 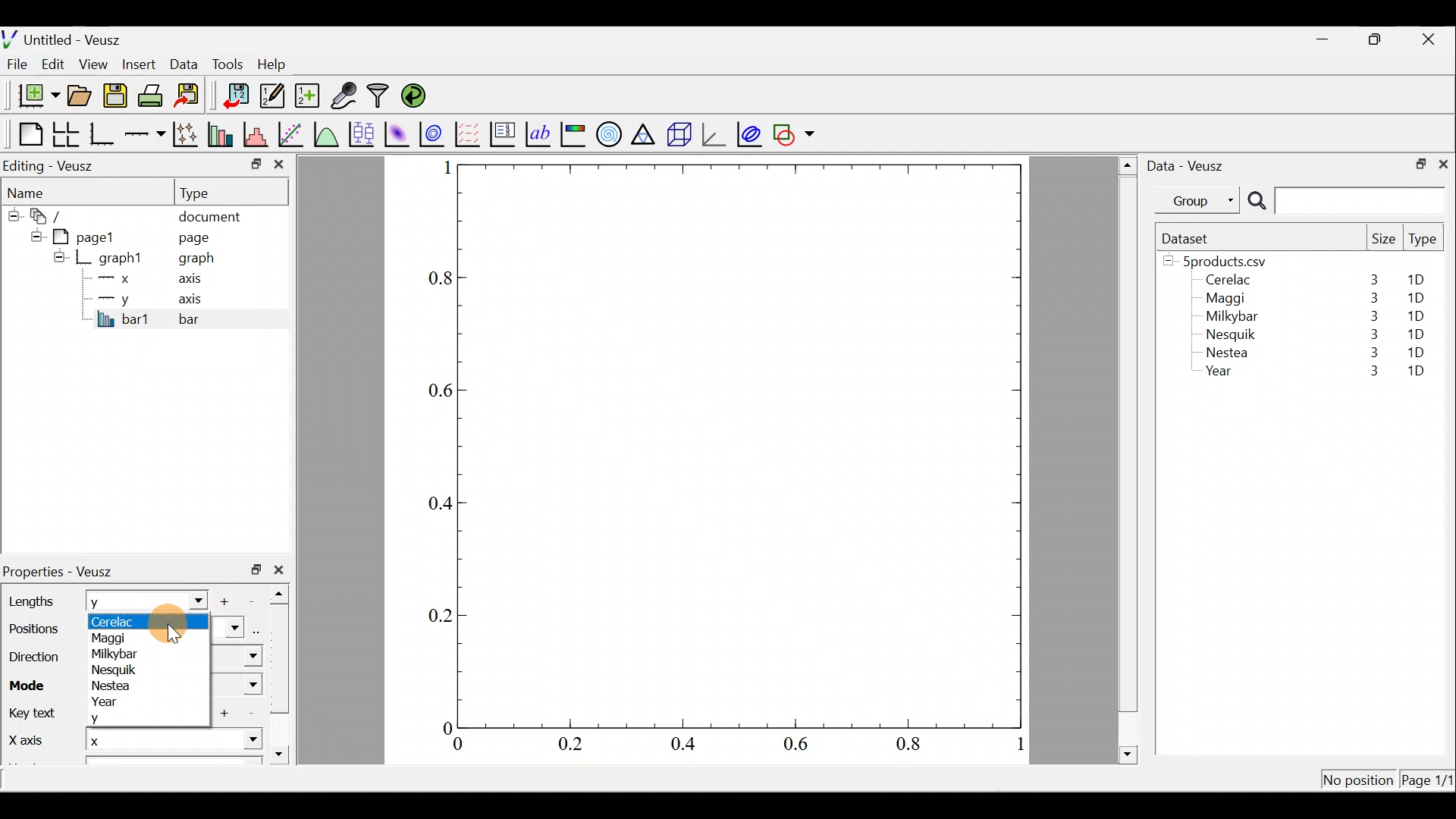 What do you see at coordinates (689, 745) in the screenshot?
I see `0.4` at bounding box center [689, 745].